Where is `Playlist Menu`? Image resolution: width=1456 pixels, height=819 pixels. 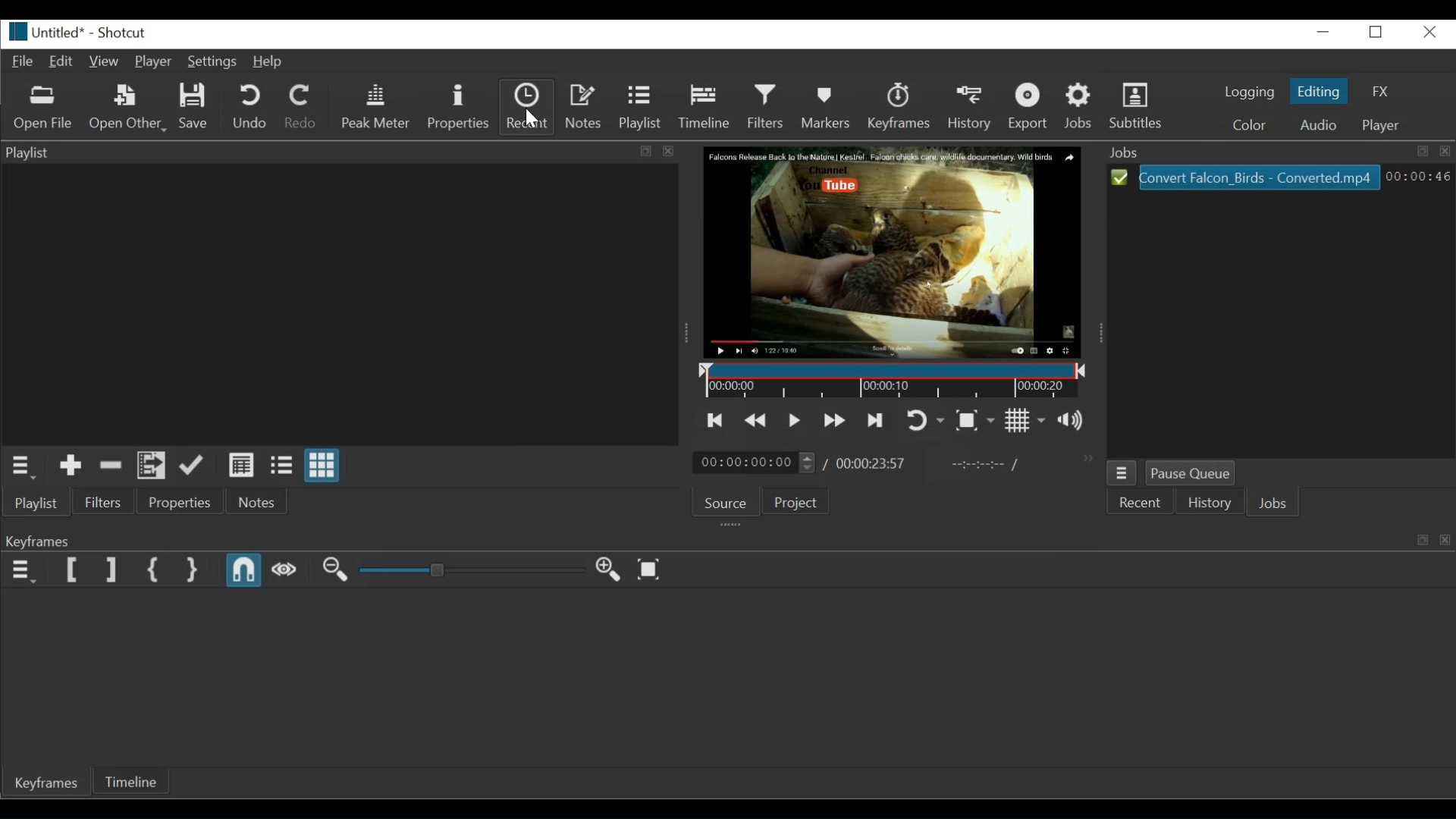 Playlist Menu is located at coordinates (25, 467).